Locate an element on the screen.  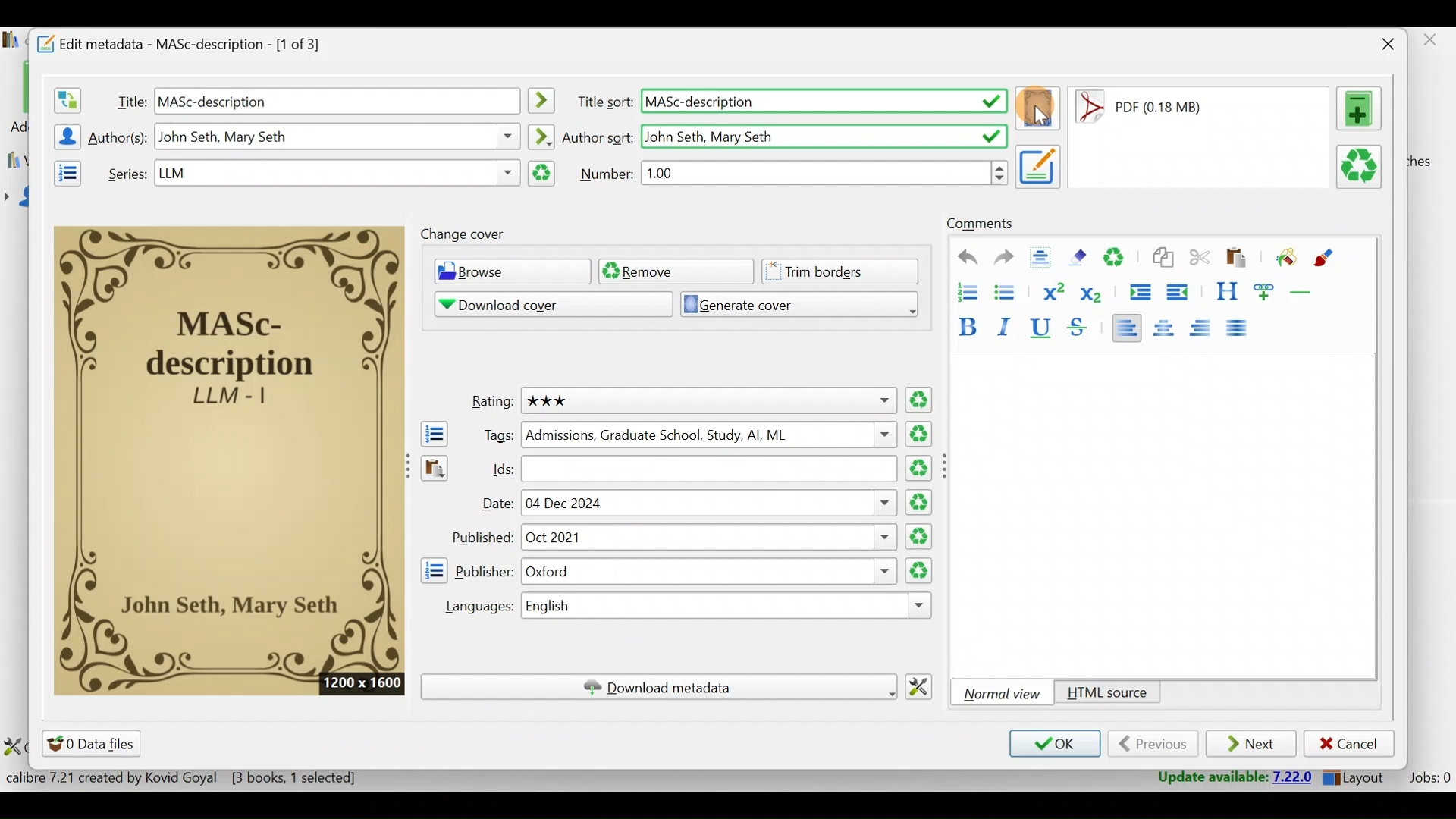
Series is located at coordinates (124, 172).